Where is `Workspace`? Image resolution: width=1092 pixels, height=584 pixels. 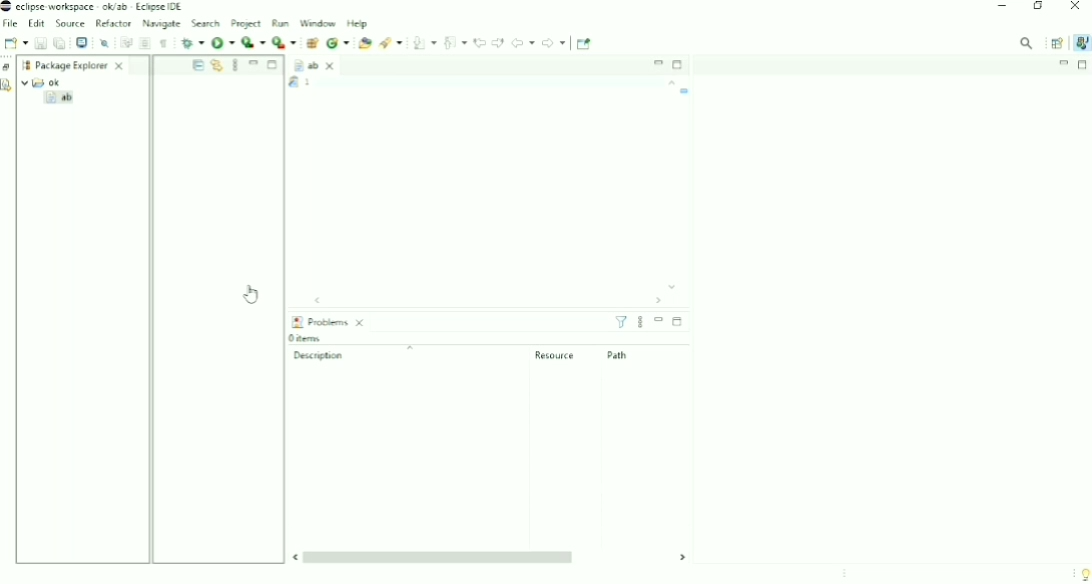 Workspace is located at coordinates (26, 64).